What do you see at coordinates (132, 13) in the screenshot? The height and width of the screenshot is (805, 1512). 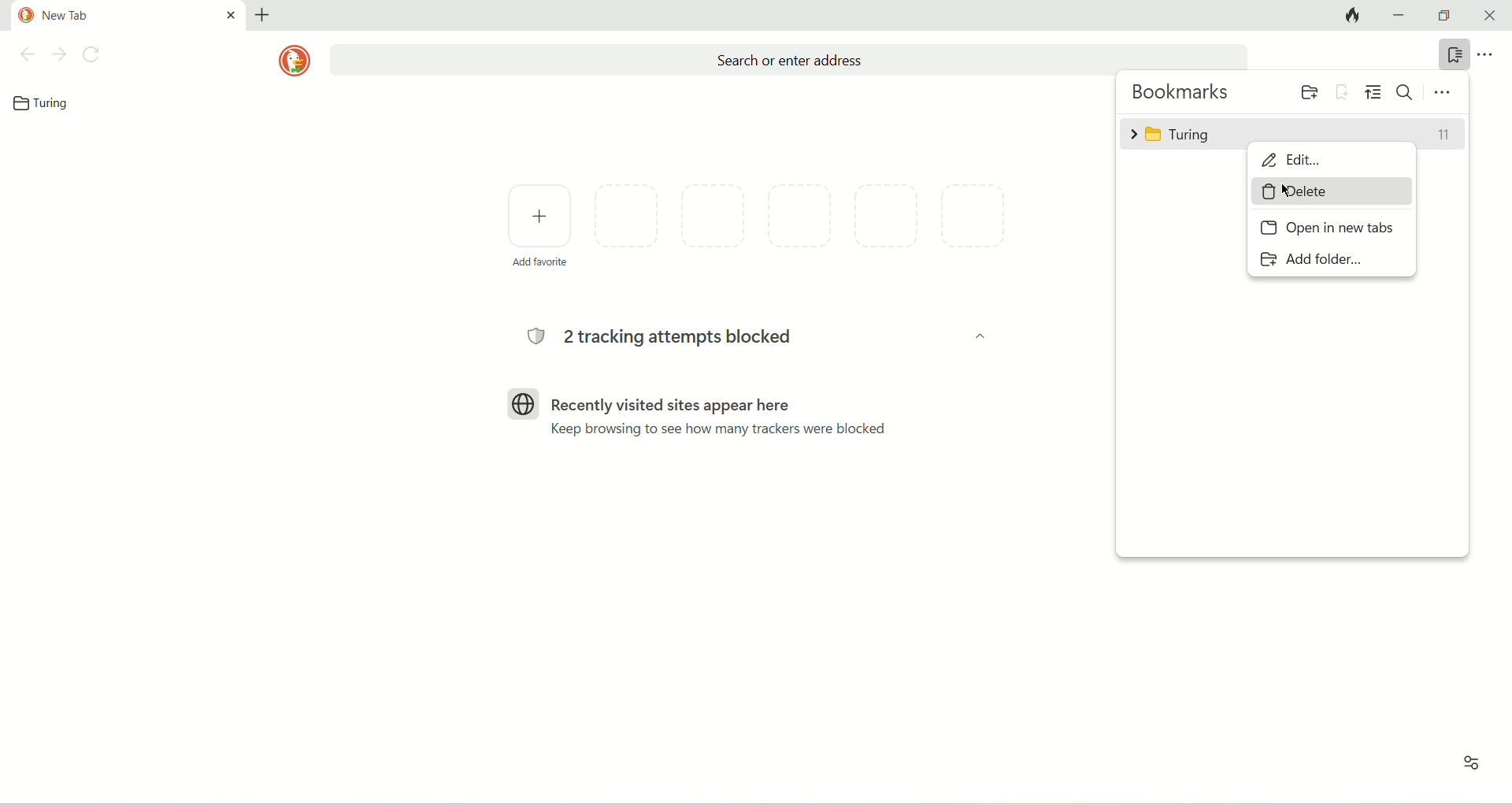 I see `current tab` at bounding box center [132, 13].